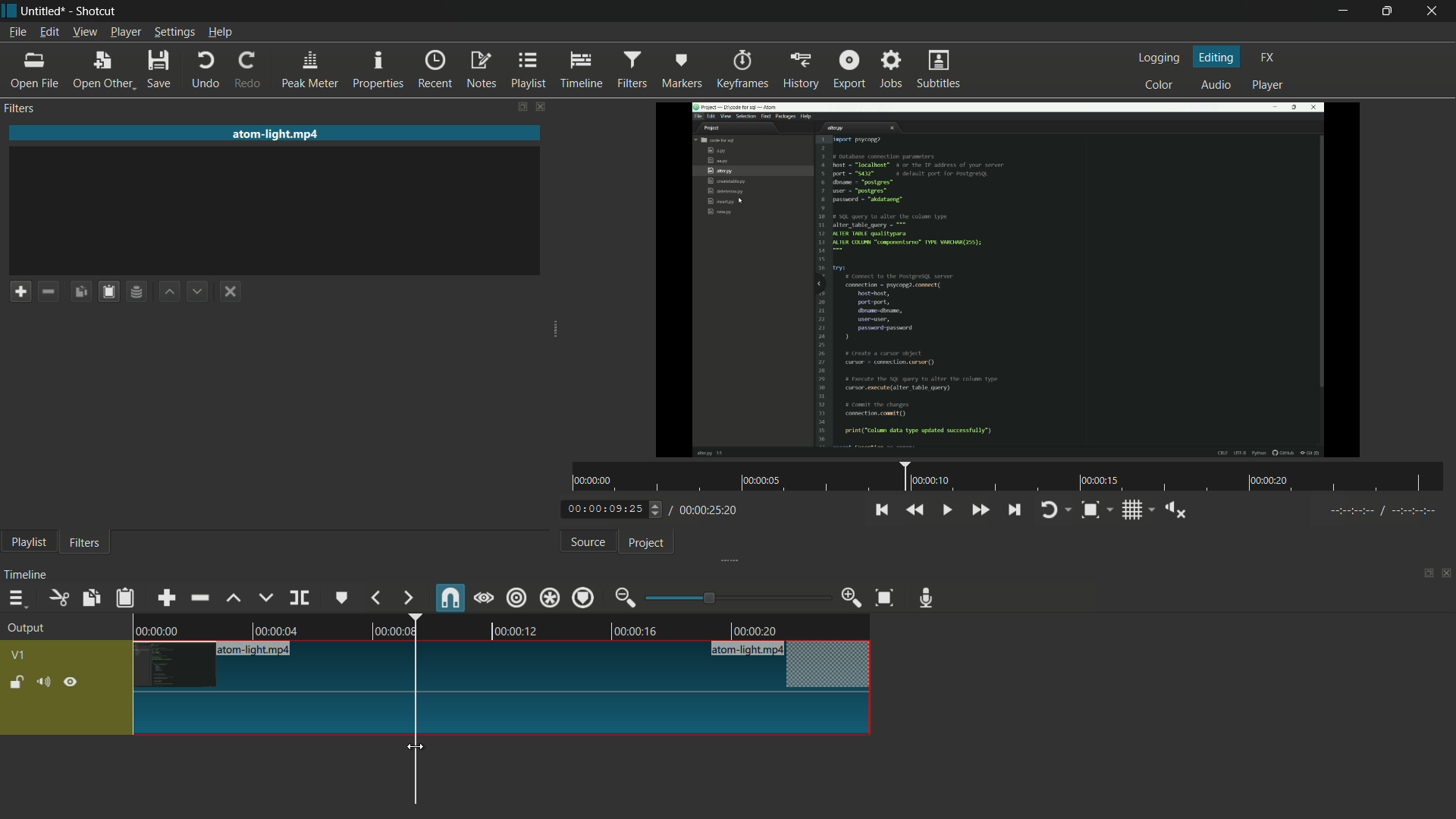 Image resolution: width=1456 pixels, height=819 pixels. Describe the element at coordinates (206, 71) in the screenshot. I see `undo` at that location.